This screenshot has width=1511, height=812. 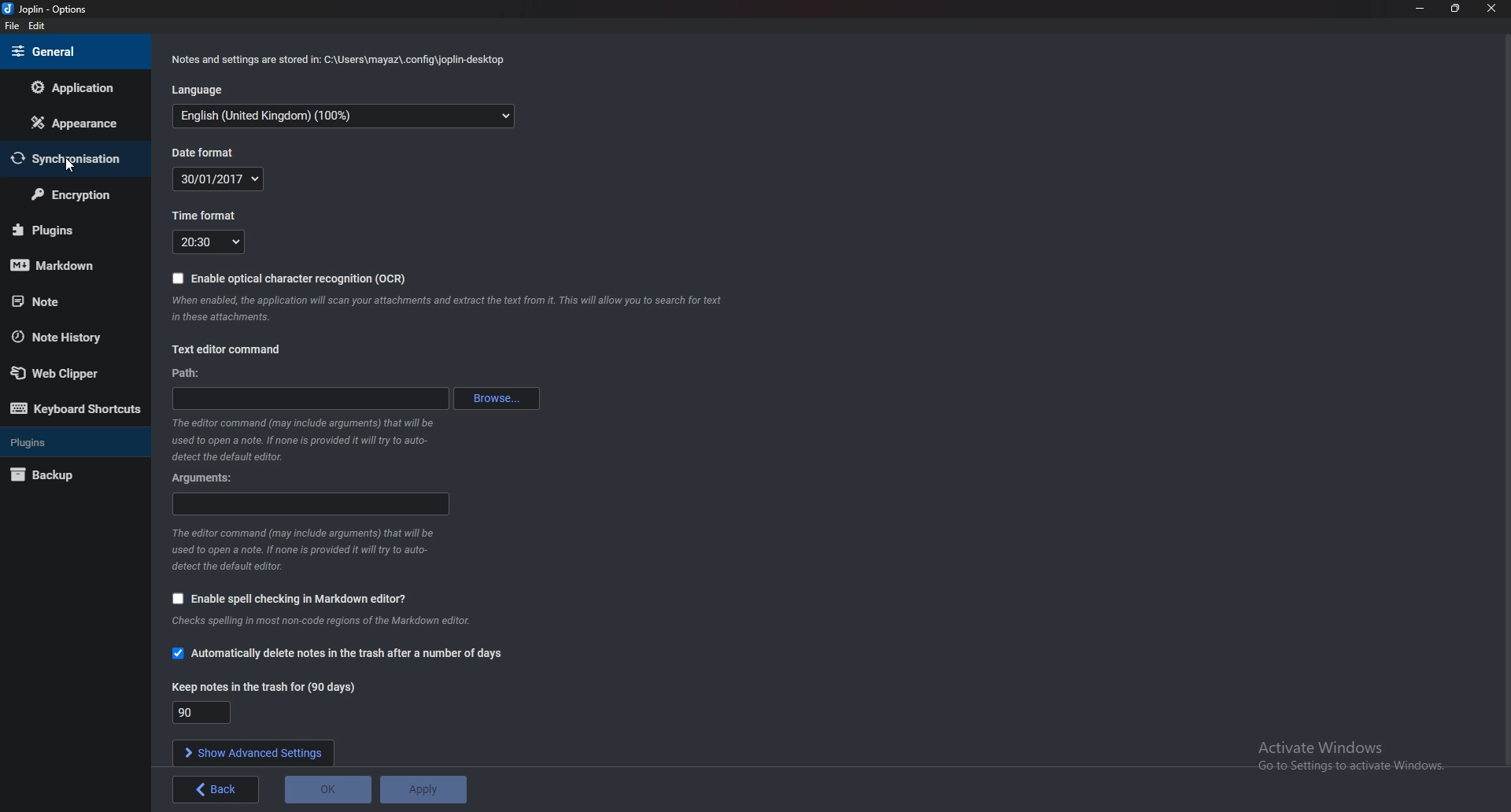 What do you see at coordinates (308, 398) in the screenshot?
I see `path` at bounding box center [308, 398].